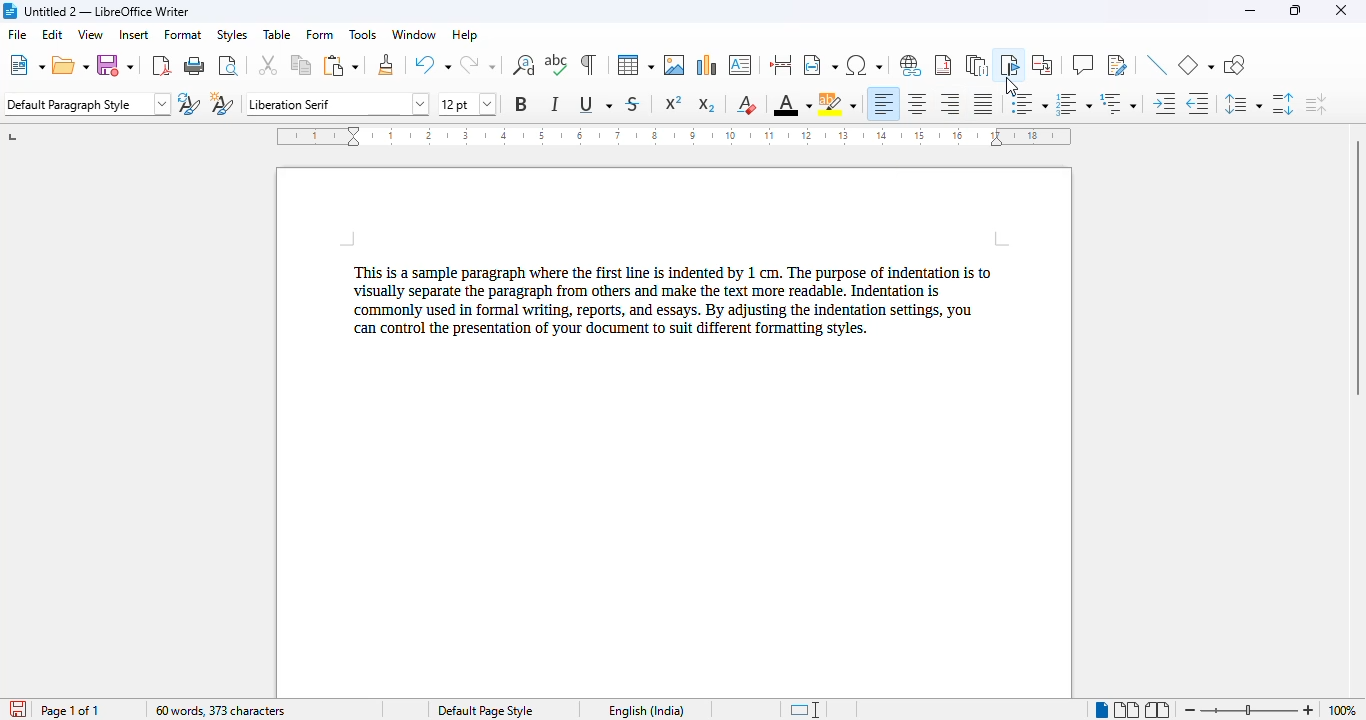  What do you see at coordinates (523, 65) in the screenshot?
I see `find and replace` at bounding box center [523, 65].